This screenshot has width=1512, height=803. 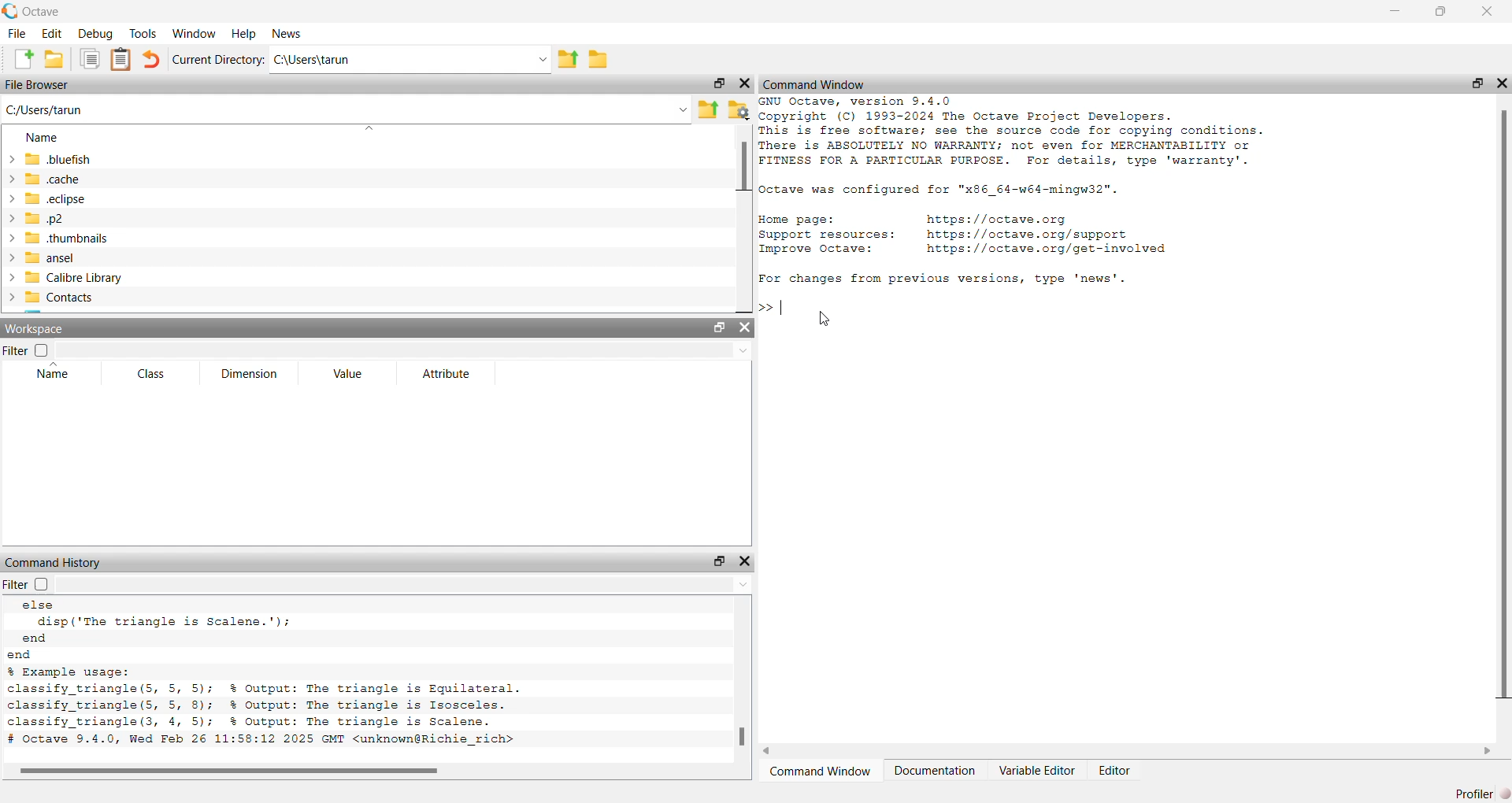 I want to click on workspace, so click(x=37, y=327).